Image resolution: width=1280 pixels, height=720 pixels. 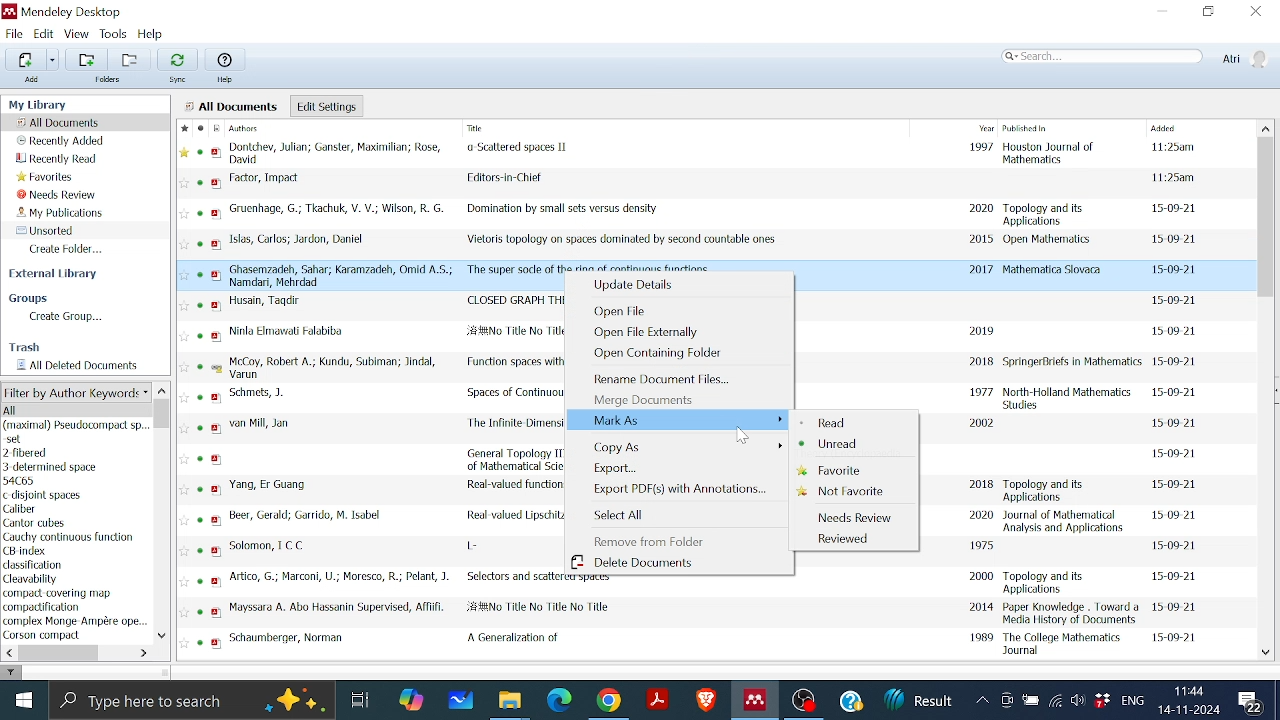 I want to click on Export PDF(s) with Annotations, so click(x=676, y=489).